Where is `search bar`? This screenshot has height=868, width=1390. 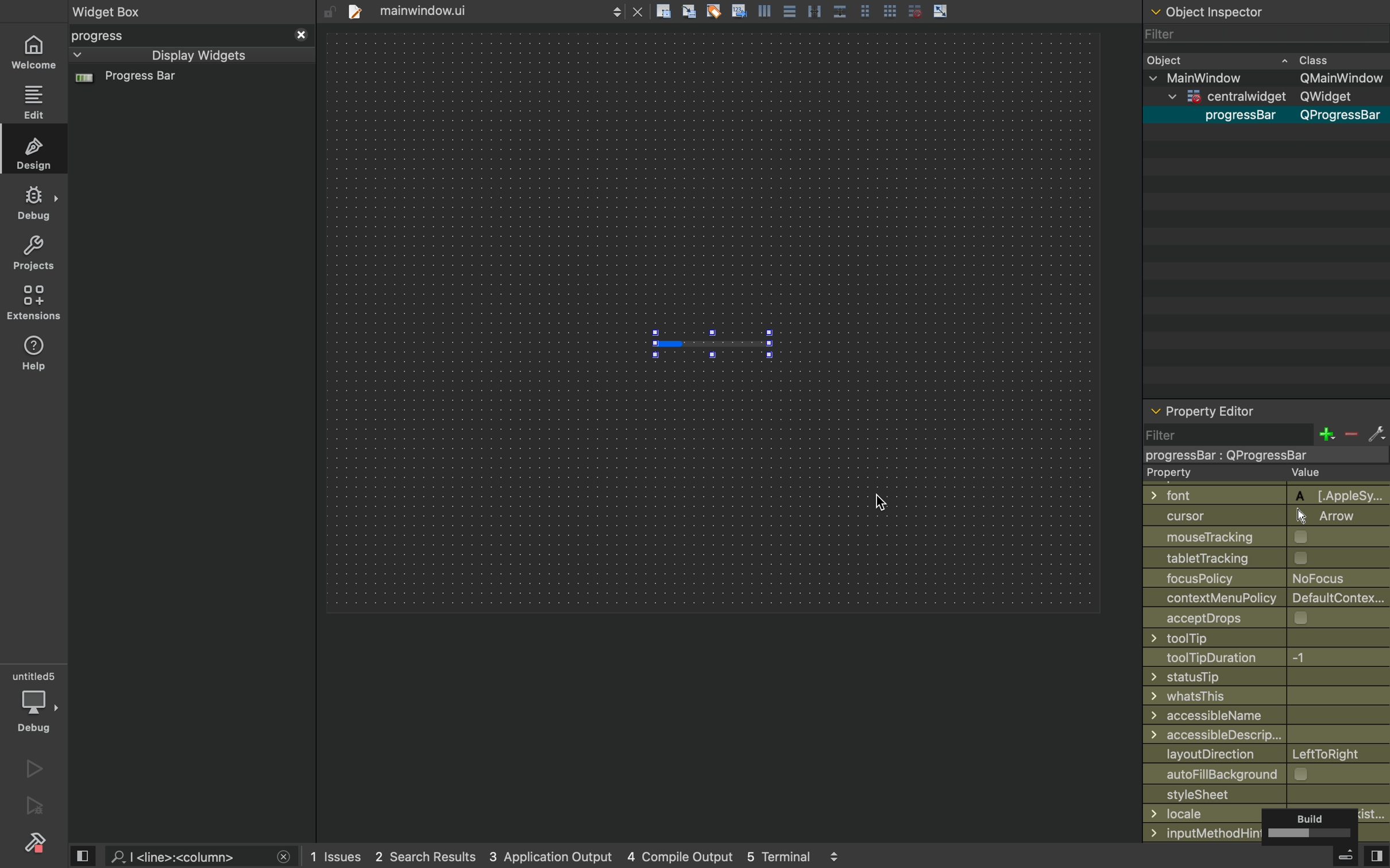 search bar is located at coordinates (199, 857).